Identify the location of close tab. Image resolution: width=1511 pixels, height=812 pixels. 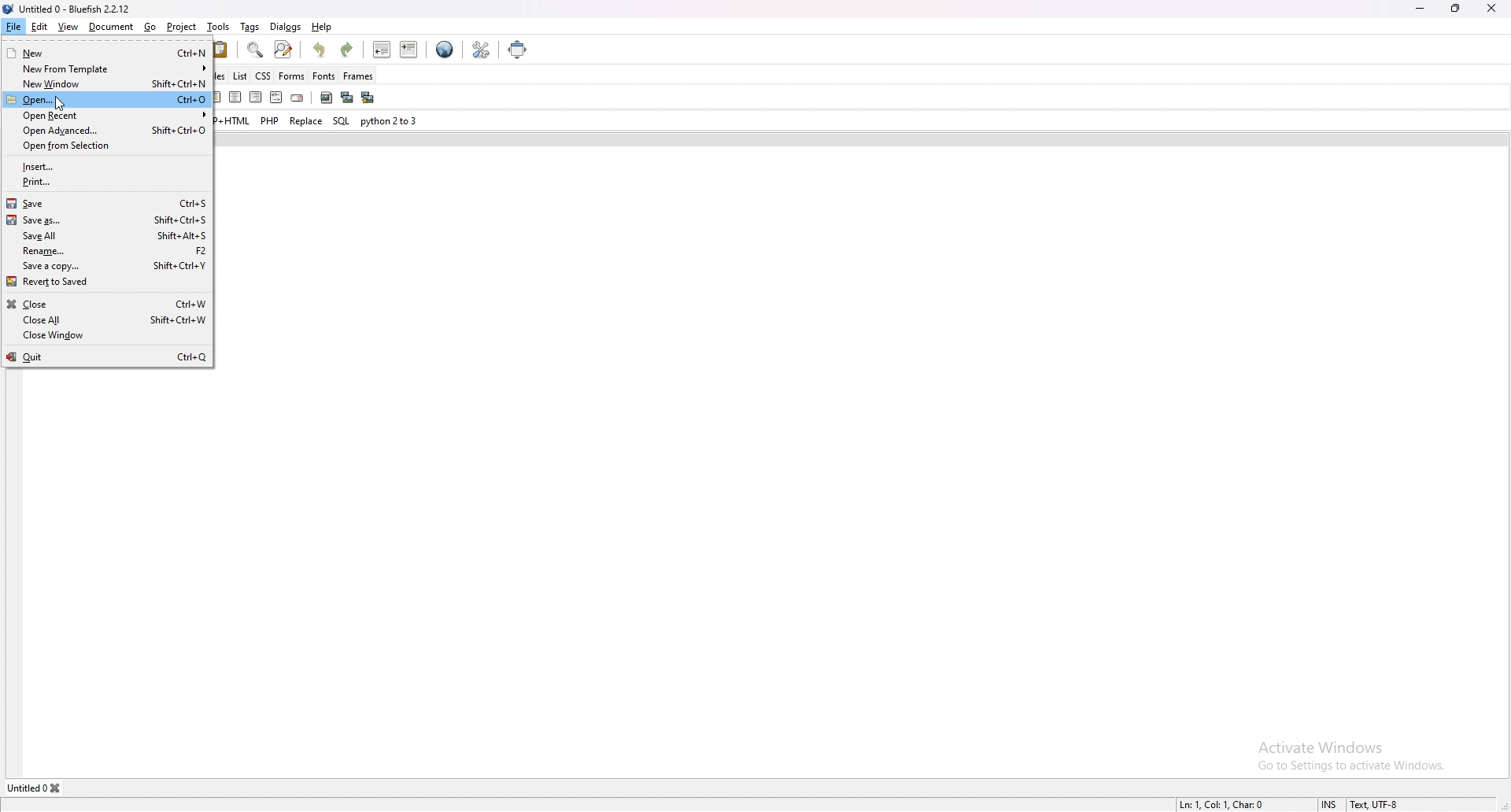
(57, 789).